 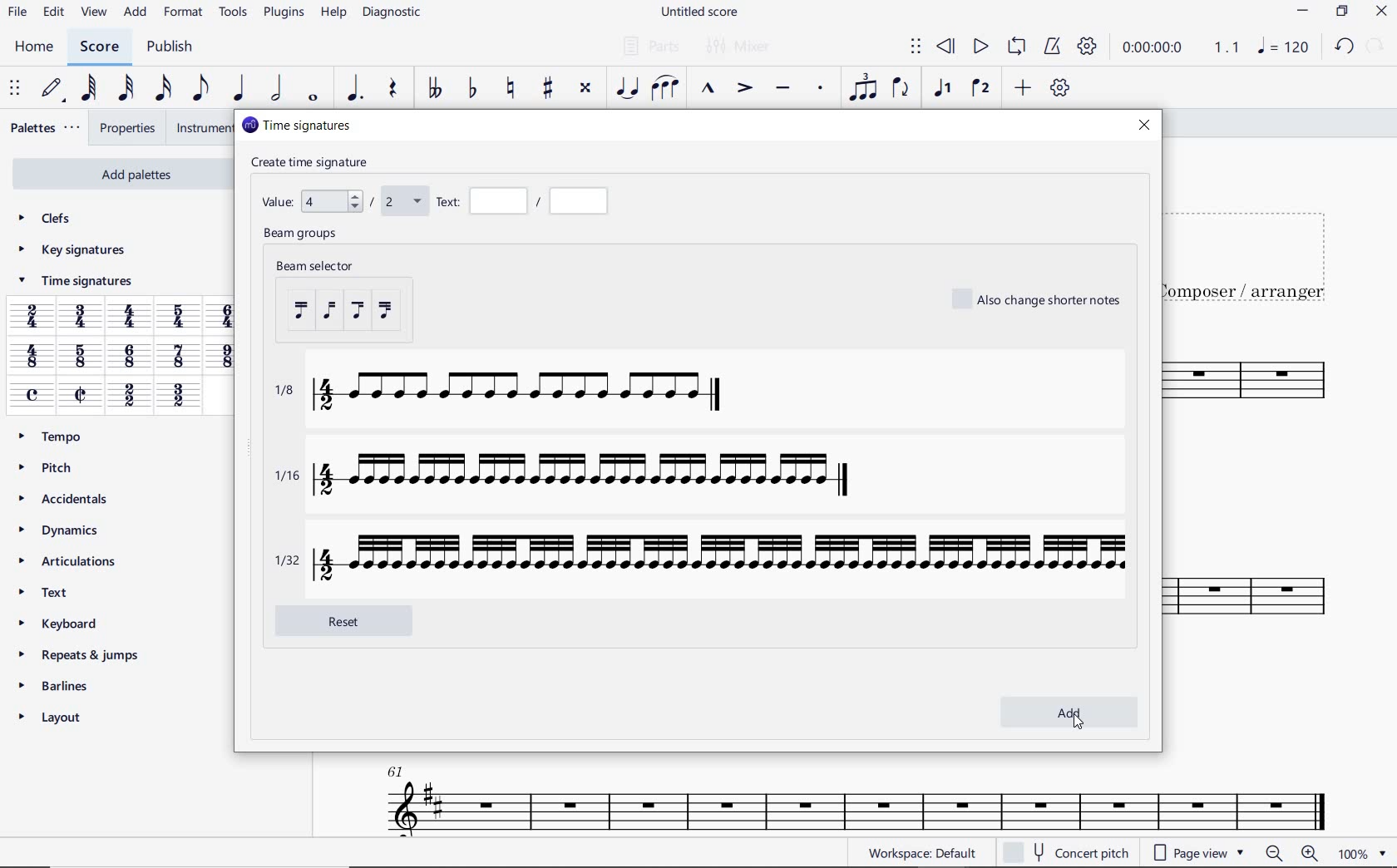 What do you see at coordinates (945, 46) in the screenshot?
I see `REWIND` at bounding box center [945, 46].